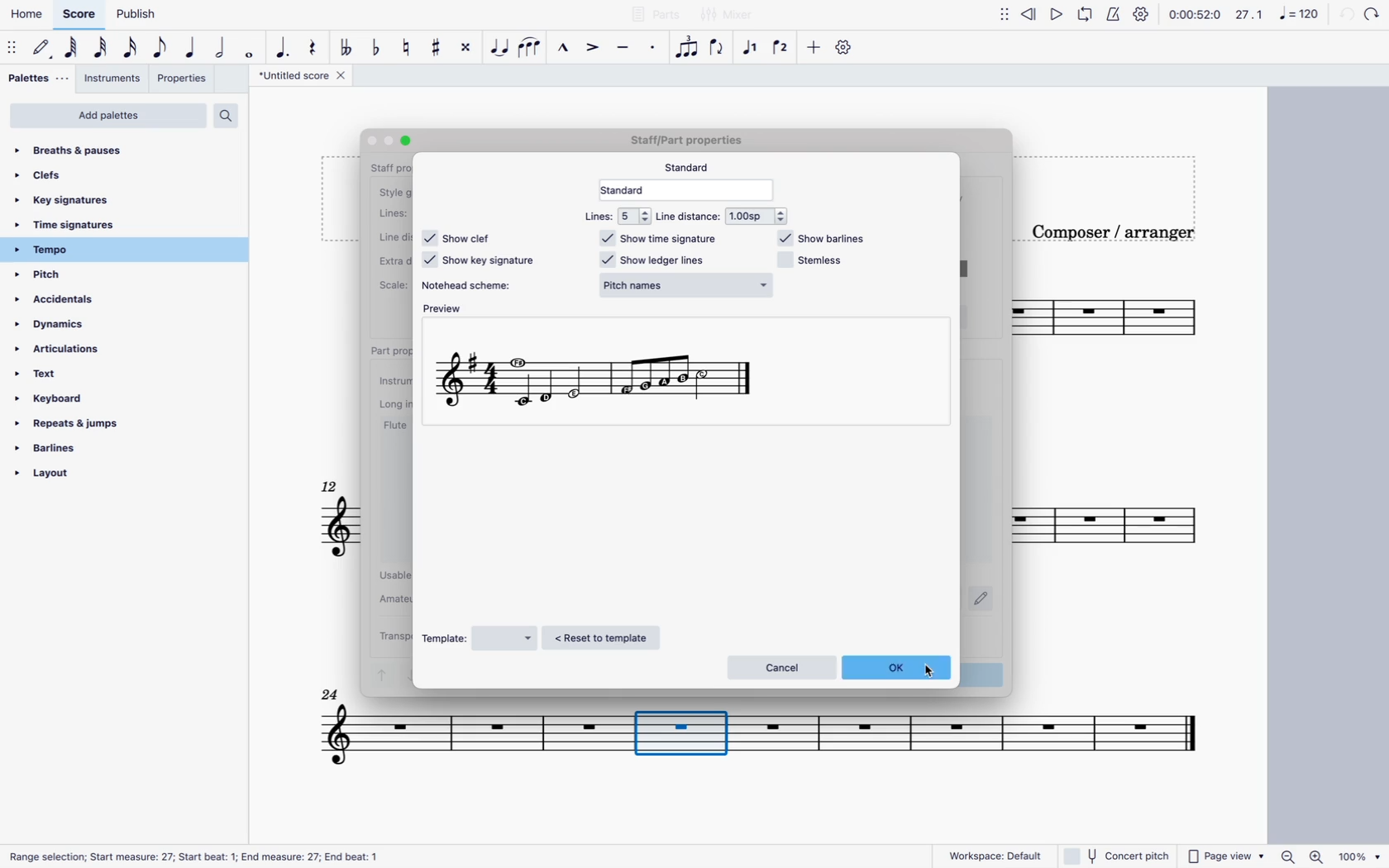  I want to click on show time signature, so click(664, 238).